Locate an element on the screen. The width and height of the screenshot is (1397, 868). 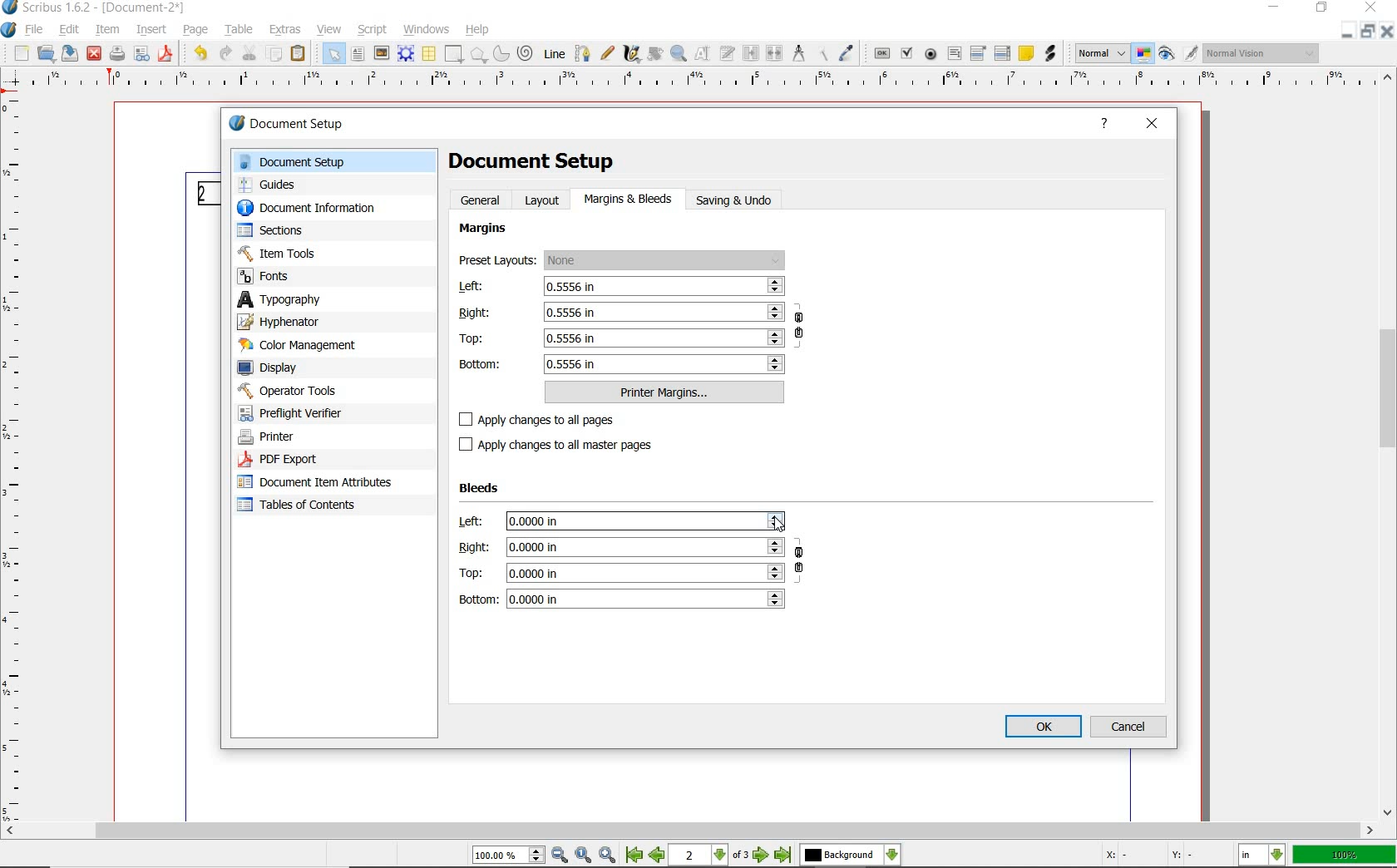
item tools is located at coordinates (280, 255).